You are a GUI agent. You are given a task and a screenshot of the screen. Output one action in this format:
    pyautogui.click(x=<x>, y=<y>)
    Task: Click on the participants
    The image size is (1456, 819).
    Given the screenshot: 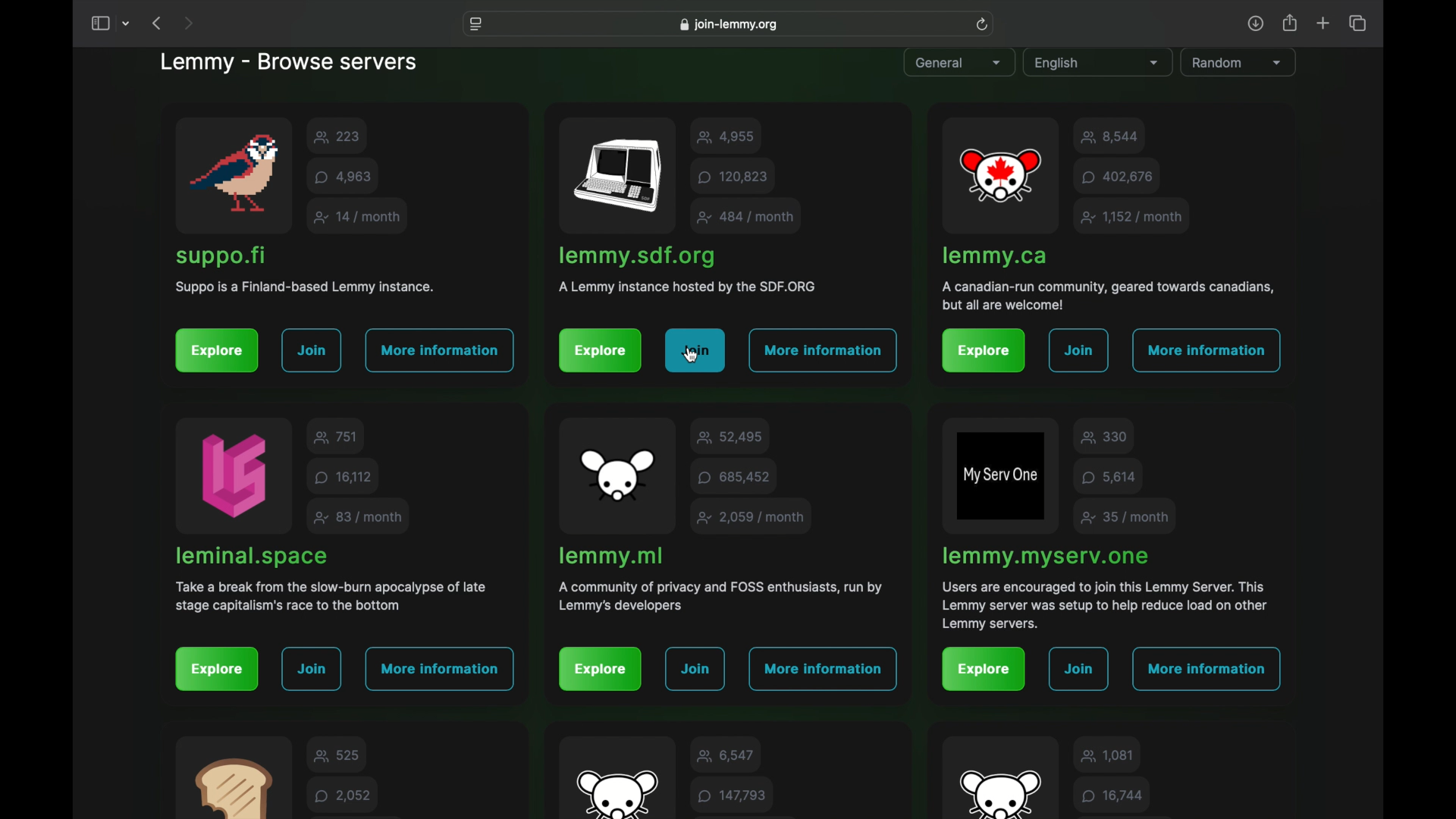 What is the action you would take?
    pyautogui.click(x=1111, y=137)
    